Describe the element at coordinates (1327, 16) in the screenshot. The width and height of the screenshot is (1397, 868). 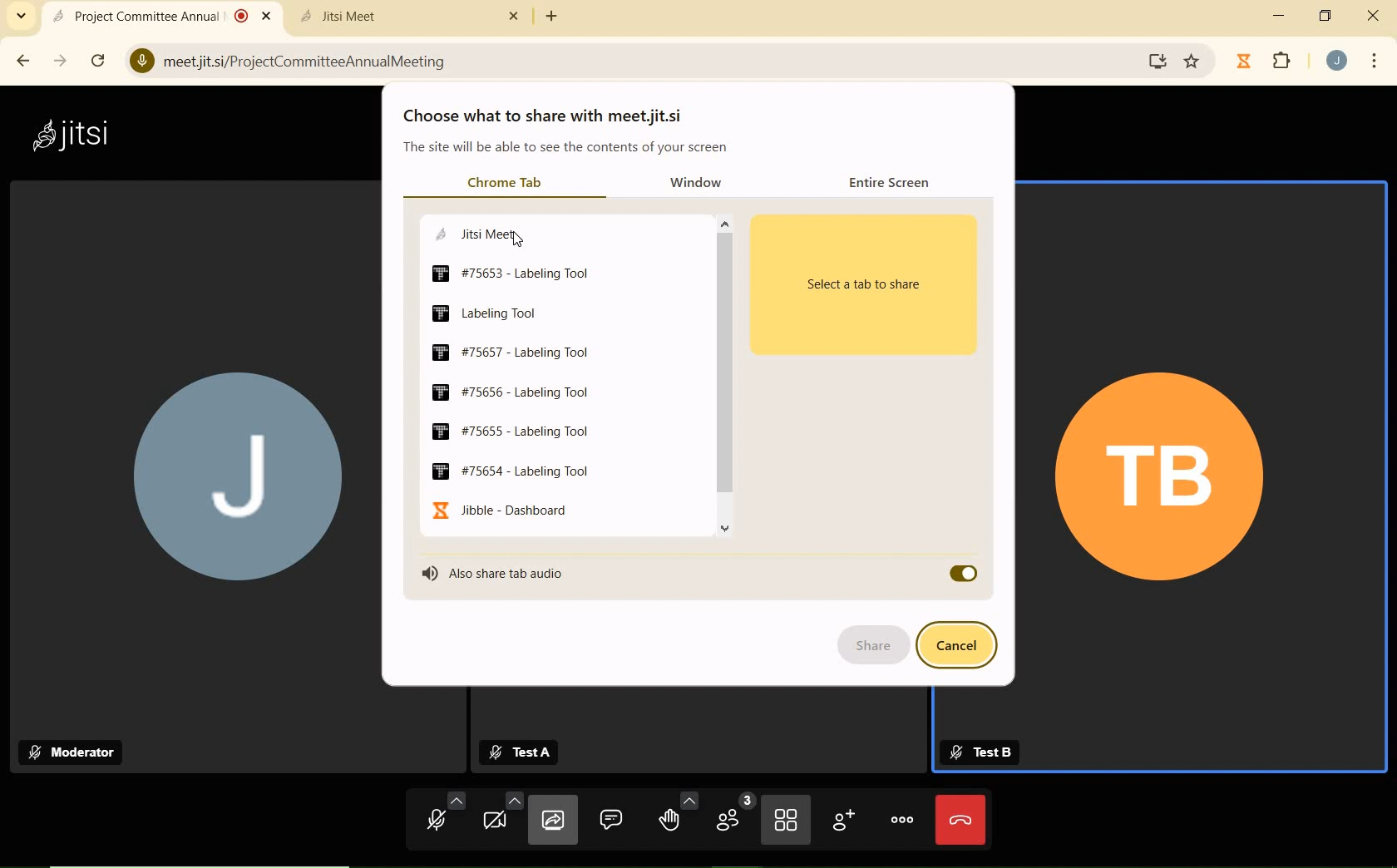
I see `restore down` at that location.